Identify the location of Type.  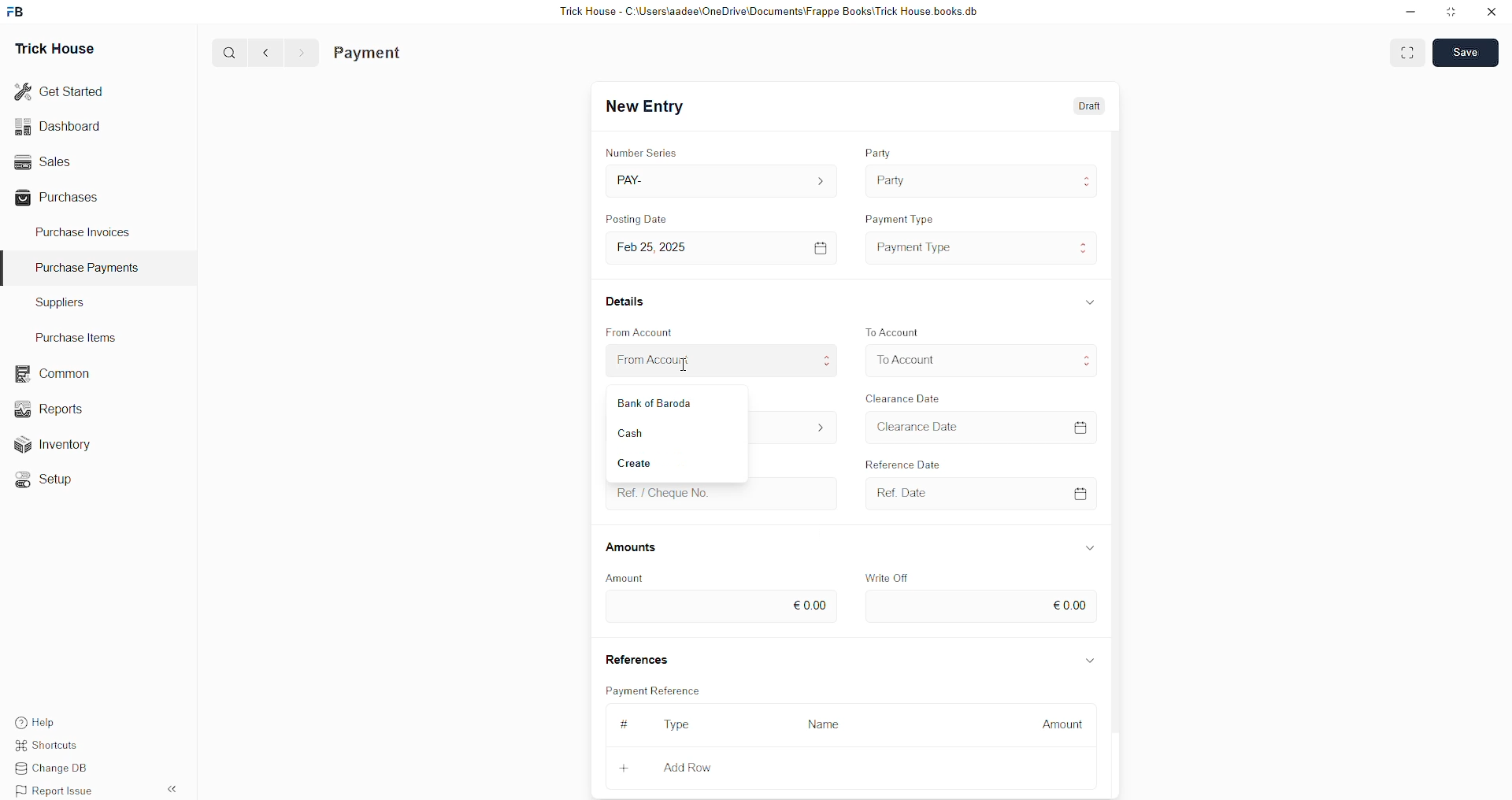
(683, 726).